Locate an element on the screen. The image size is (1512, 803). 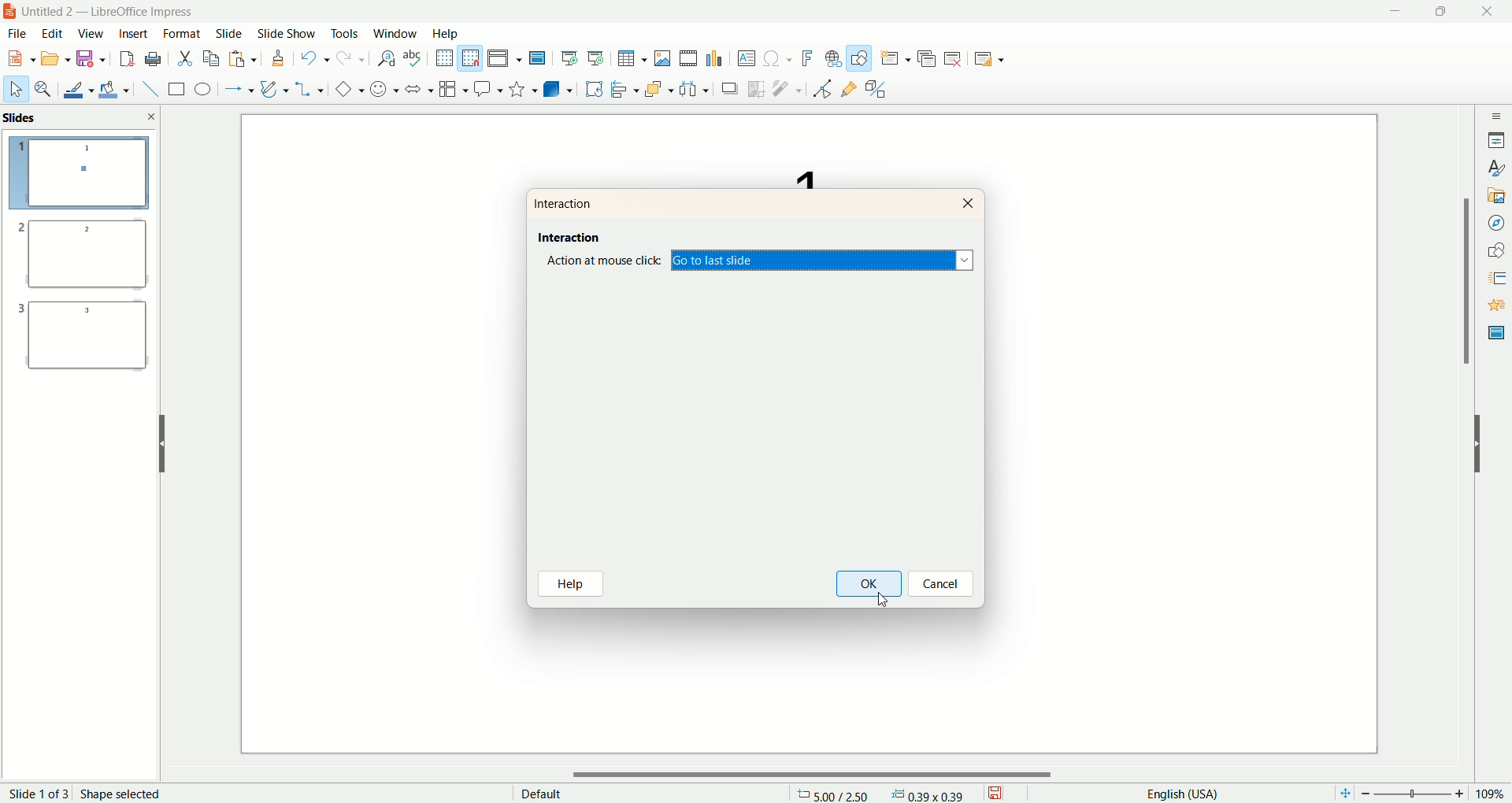
vertical scroll bar is located at coordinates (1466, 438).